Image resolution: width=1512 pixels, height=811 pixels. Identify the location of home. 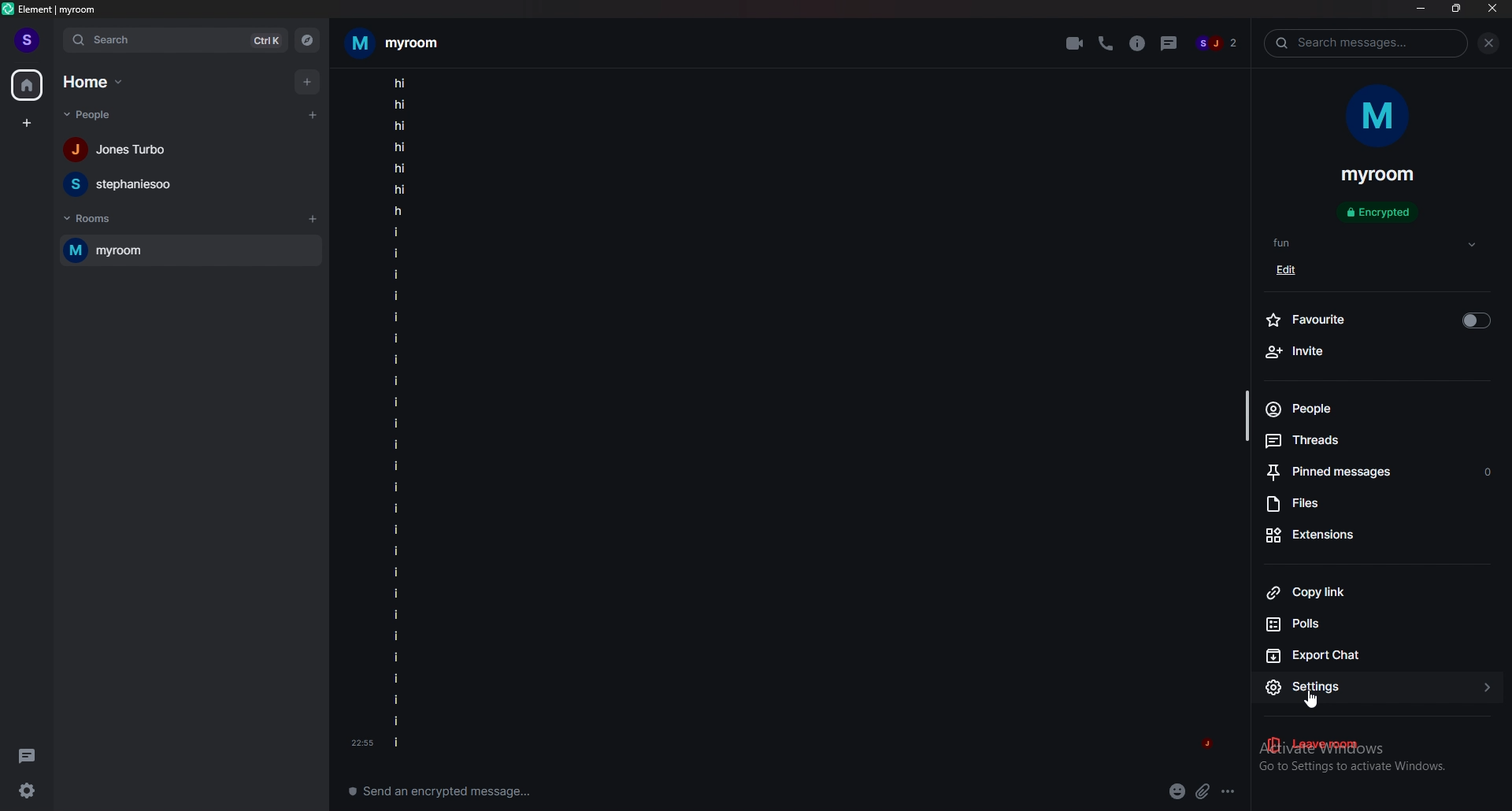
(94, 83).